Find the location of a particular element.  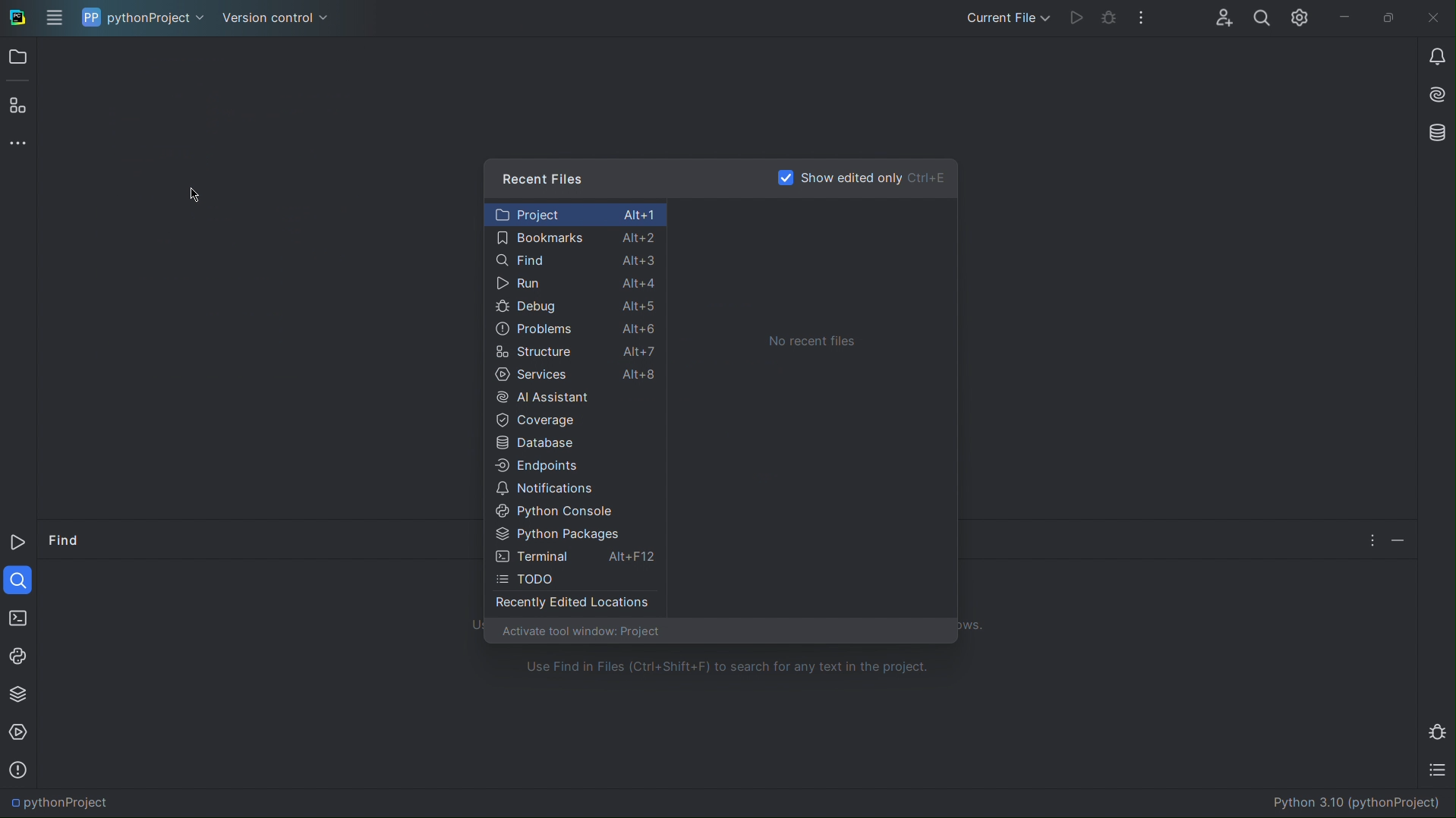

Users Find in Files (Ctrl+Shift+F) to search for any text in the project is located at coordinates (728, 666).